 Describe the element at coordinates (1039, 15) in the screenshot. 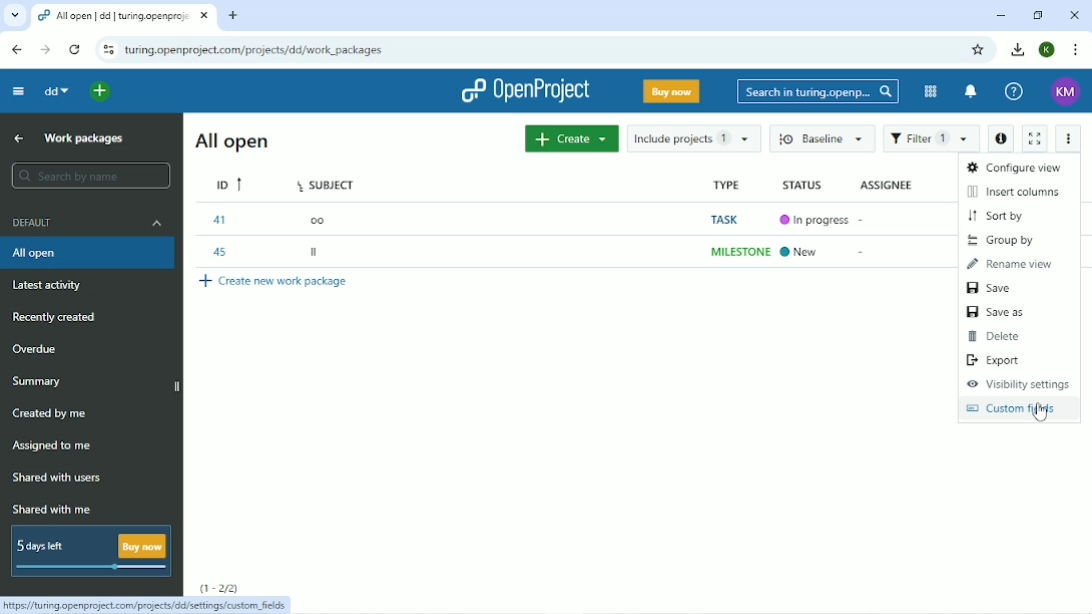

I see `Restore down` at that location.